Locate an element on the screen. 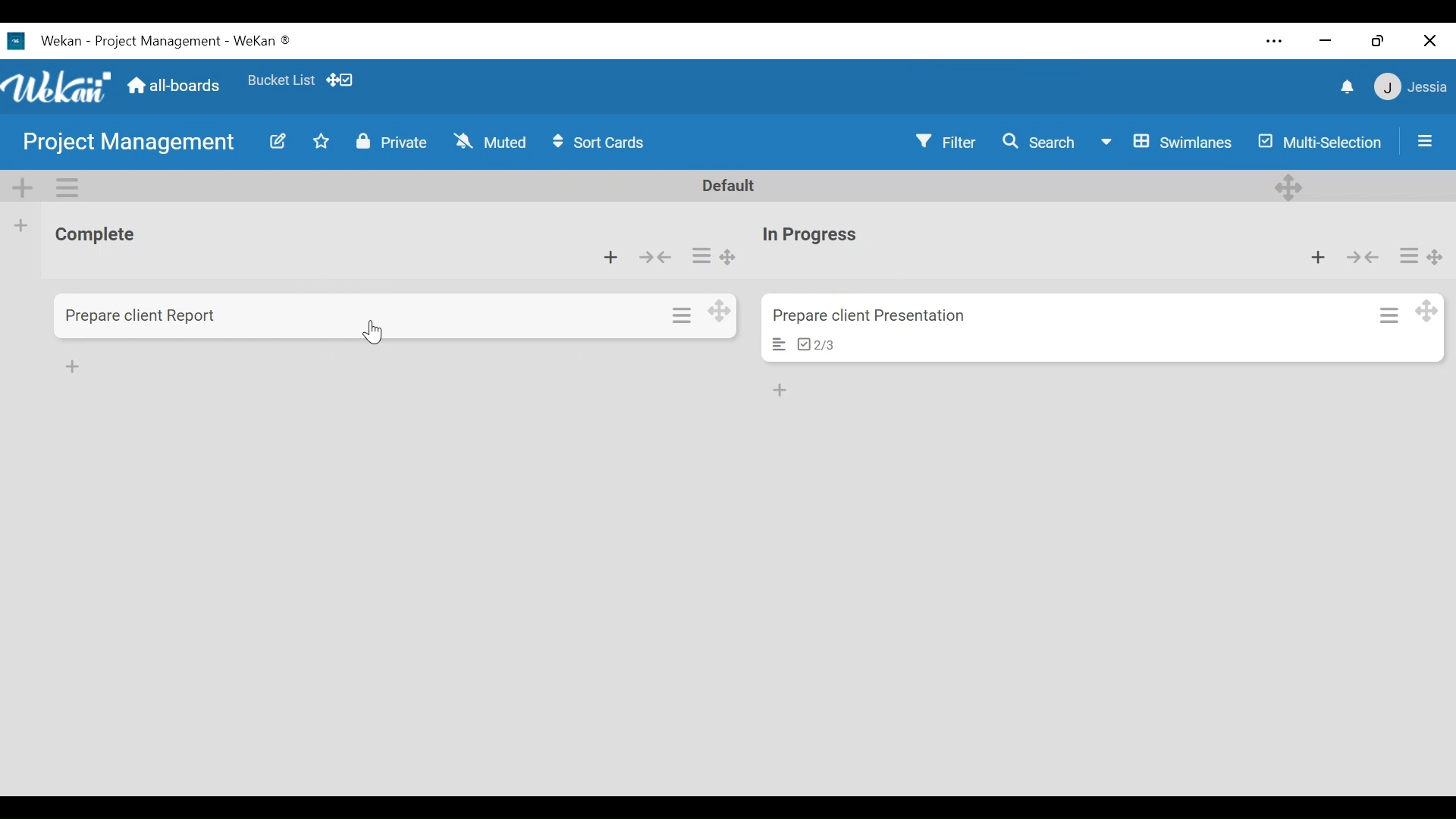  Private is located at coordinates (388, 143).